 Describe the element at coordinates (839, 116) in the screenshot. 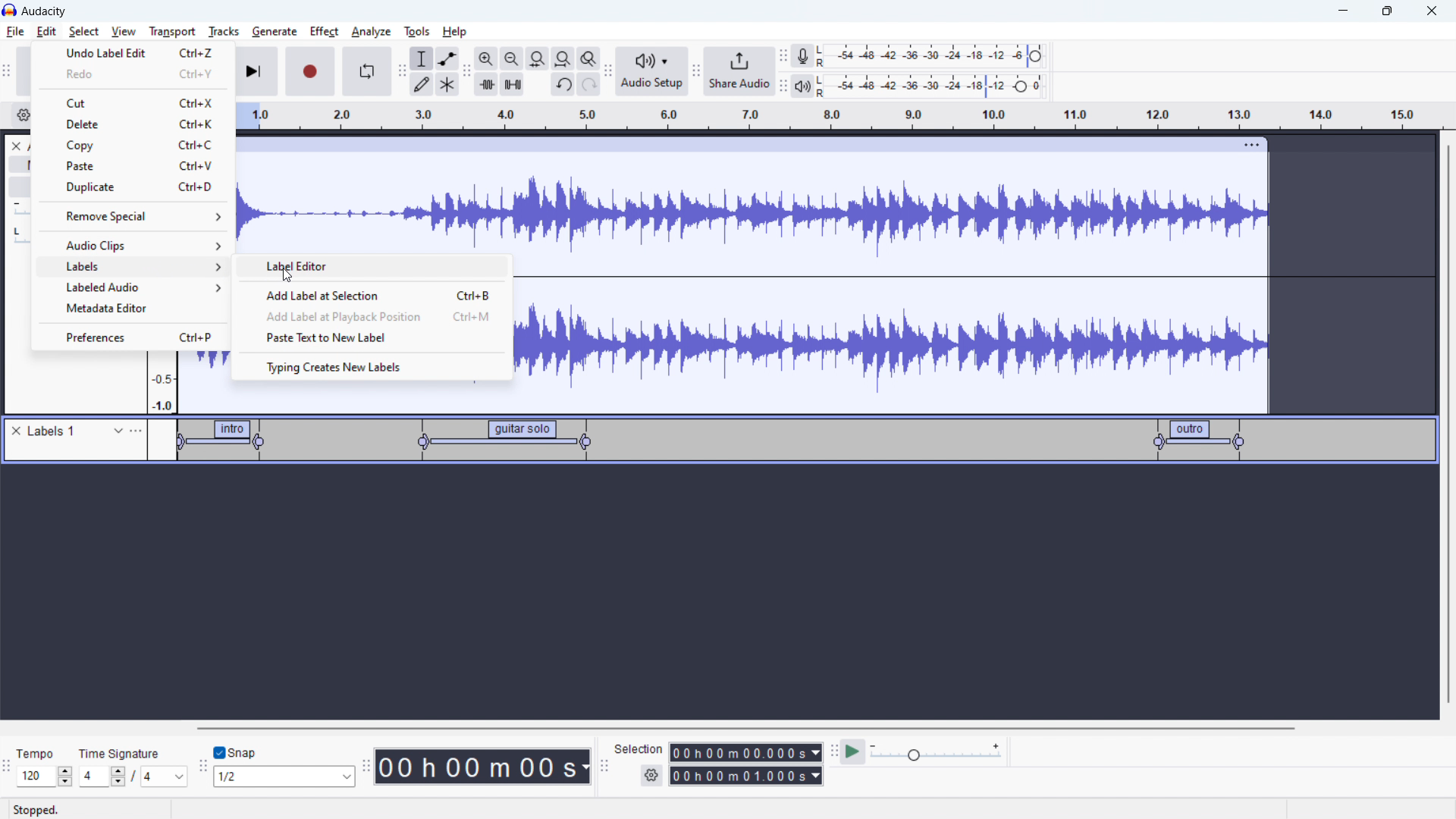

I see `timeline` at that location.